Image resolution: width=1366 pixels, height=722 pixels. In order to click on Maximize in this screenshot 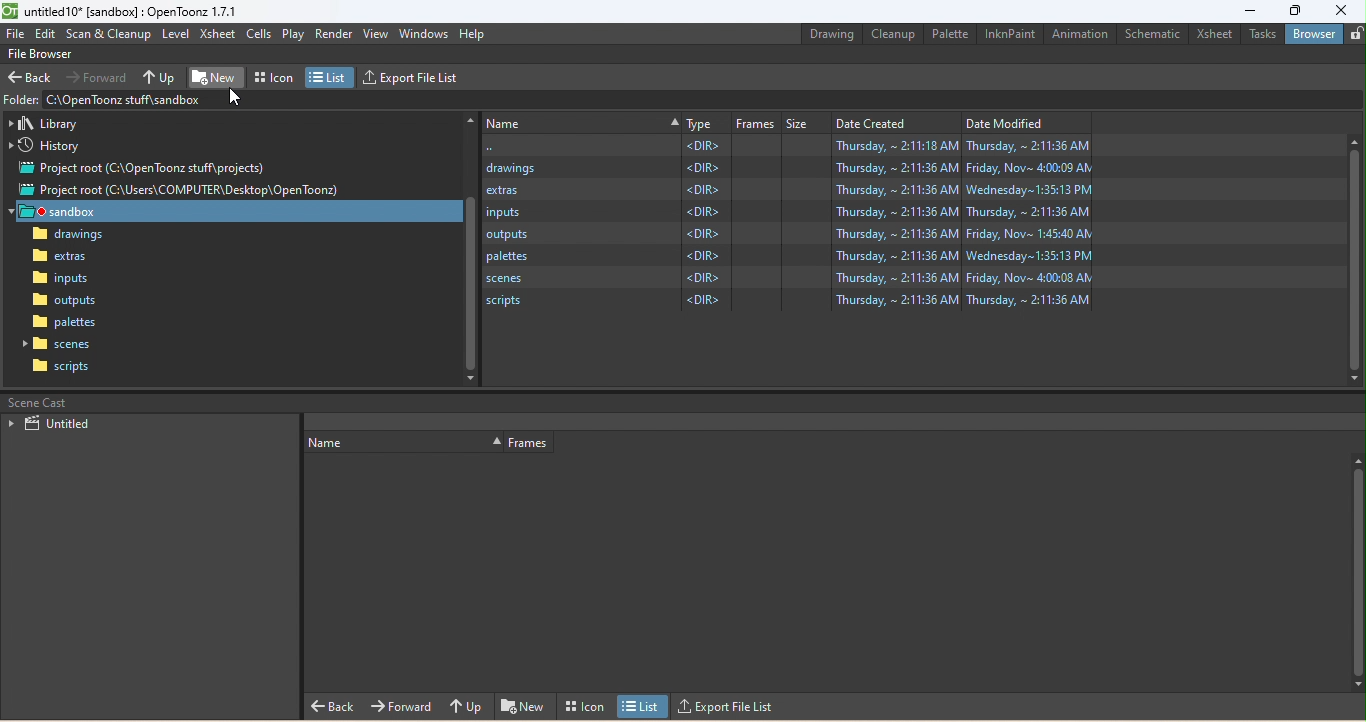, I will do `click(1295, 10)`.